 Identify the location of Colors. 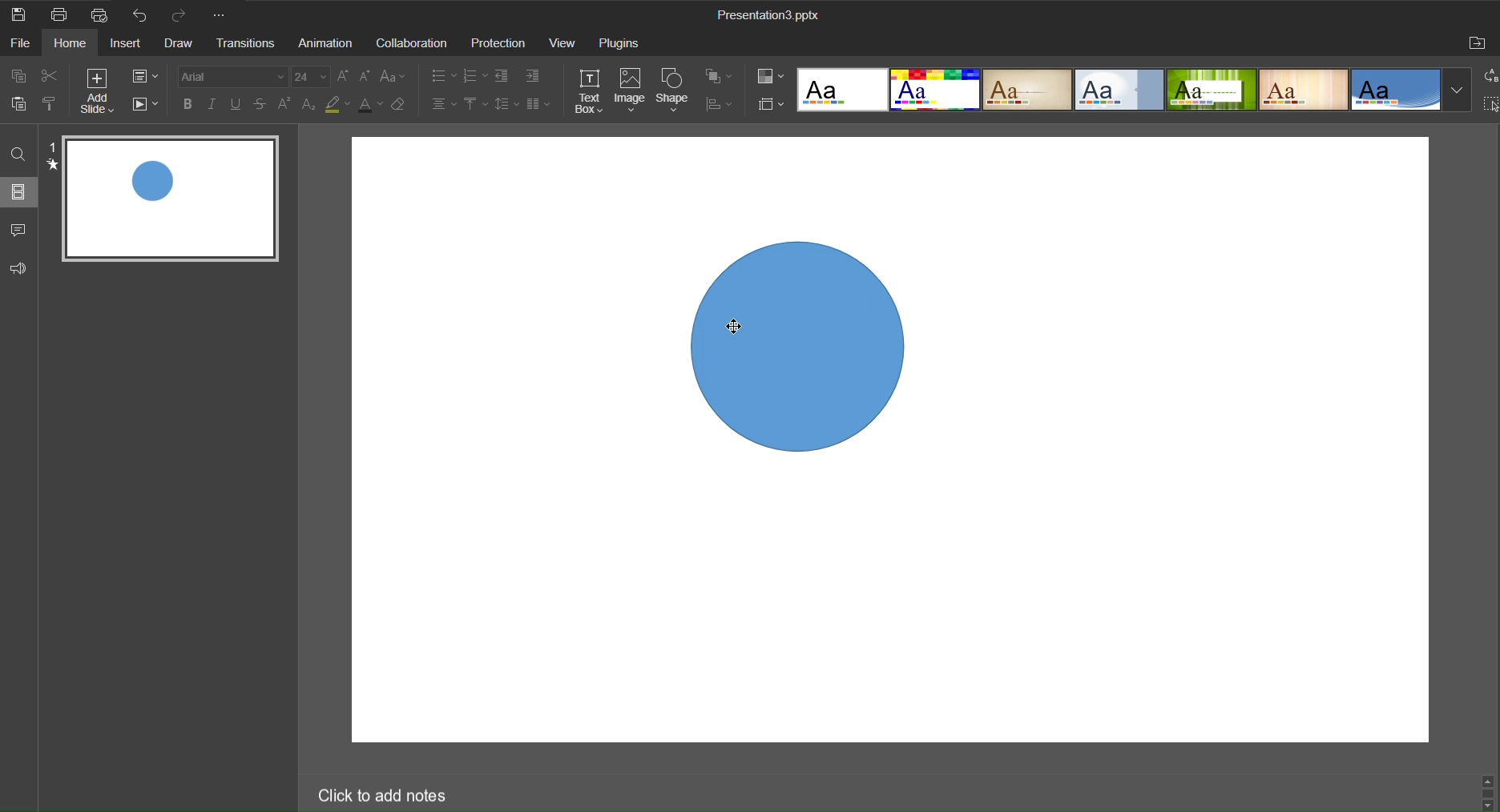
(769, 75).